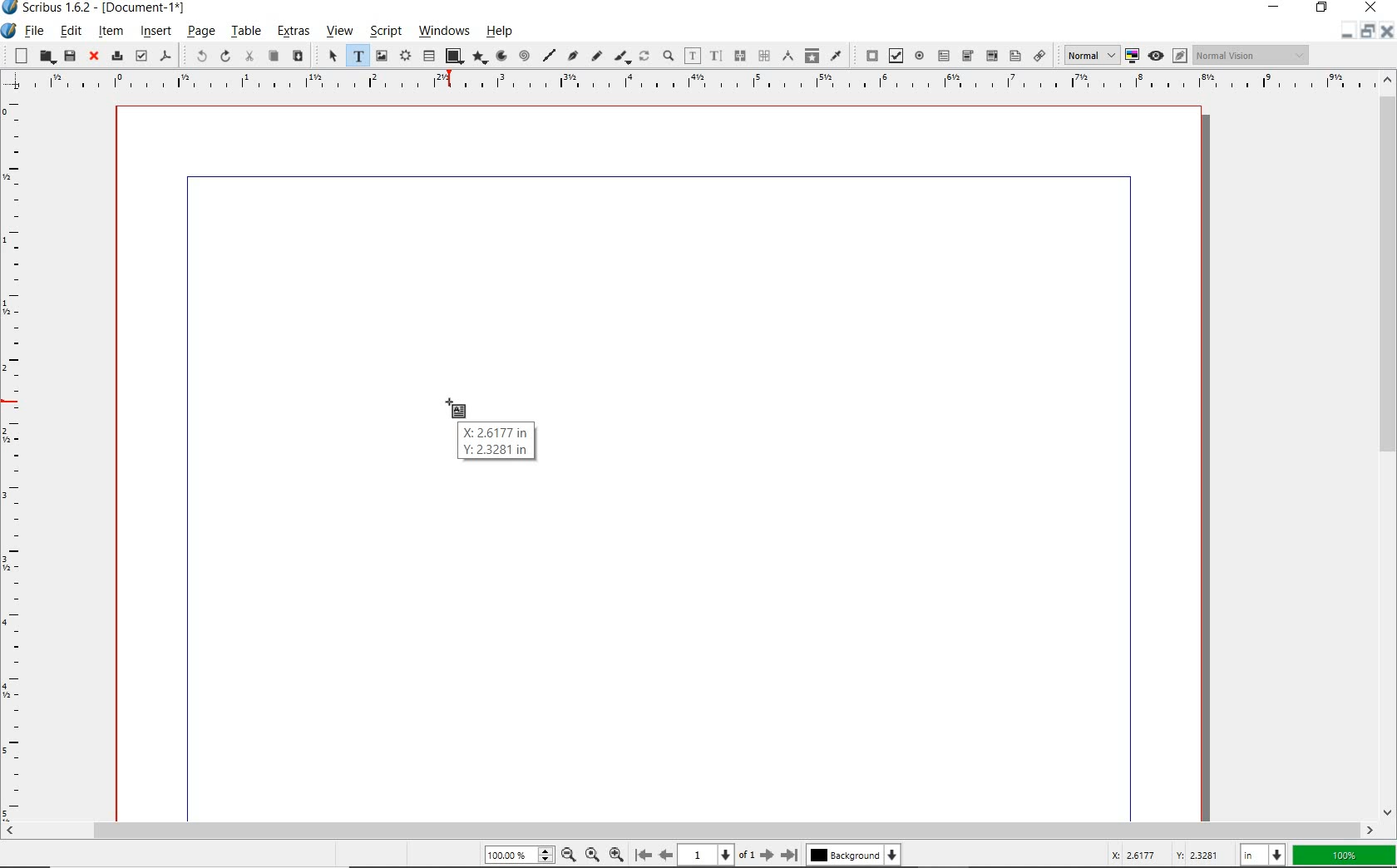  What do you see at coordinates (94, 57) in the screenshot?
I see `close` at bounding box center [94, 57].